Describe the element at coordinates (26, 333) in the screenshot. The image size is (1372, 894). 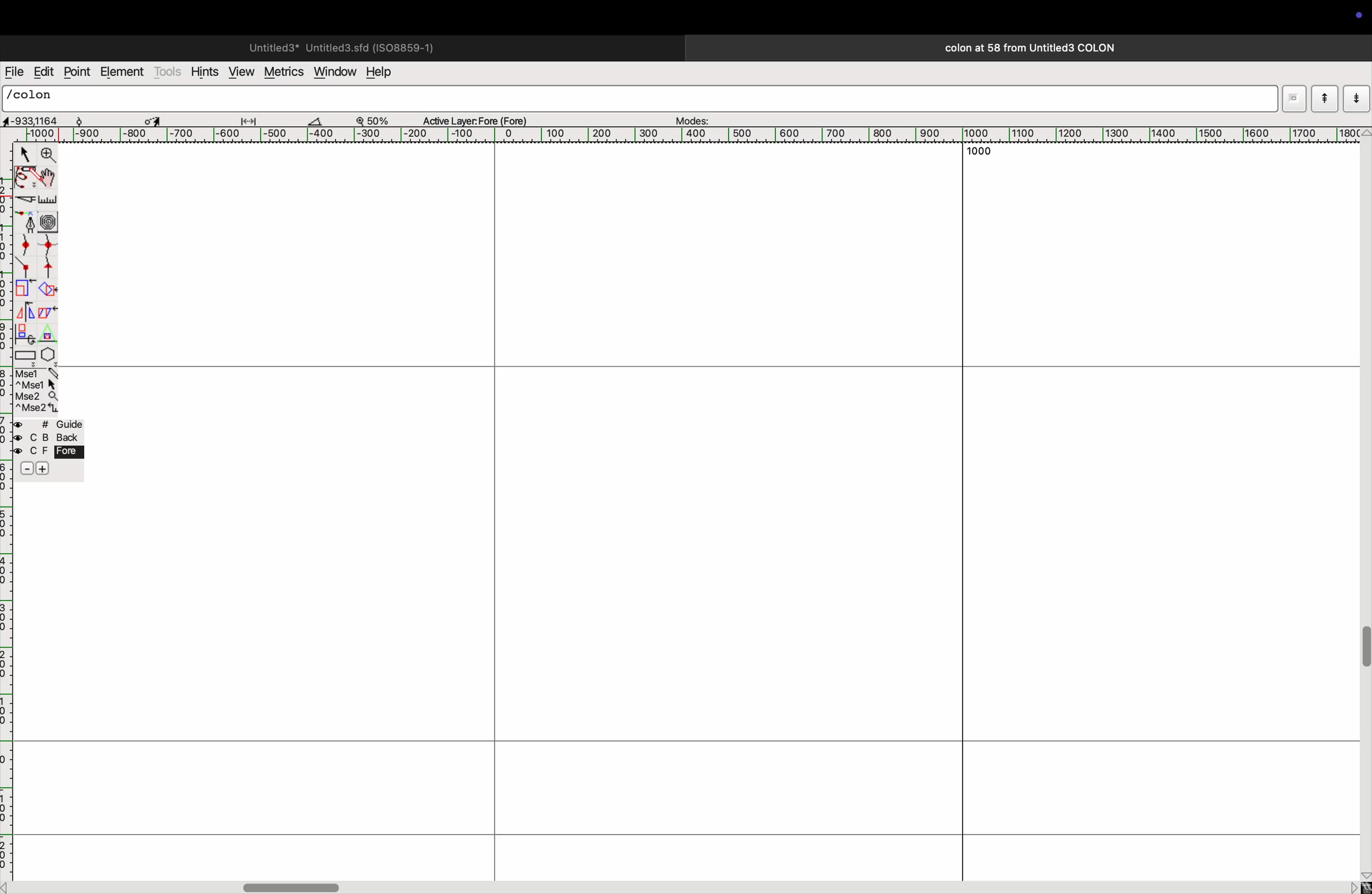
I see `clone` at that location.